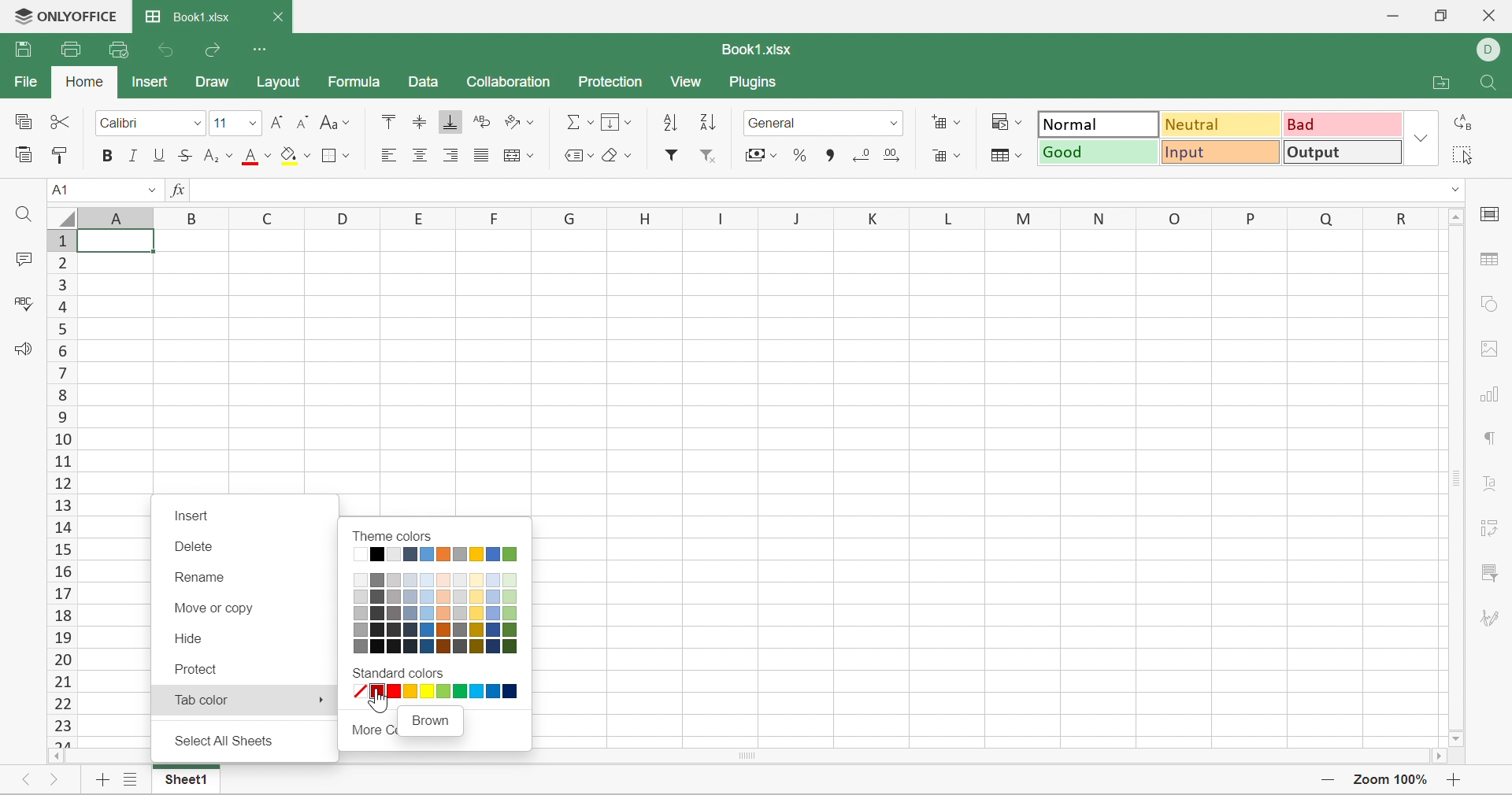 This screenshot has height=795, width=1512. Describe the element at coordinates (1006, 122) in the screenshot. I see `Conditional formatting` at that location.